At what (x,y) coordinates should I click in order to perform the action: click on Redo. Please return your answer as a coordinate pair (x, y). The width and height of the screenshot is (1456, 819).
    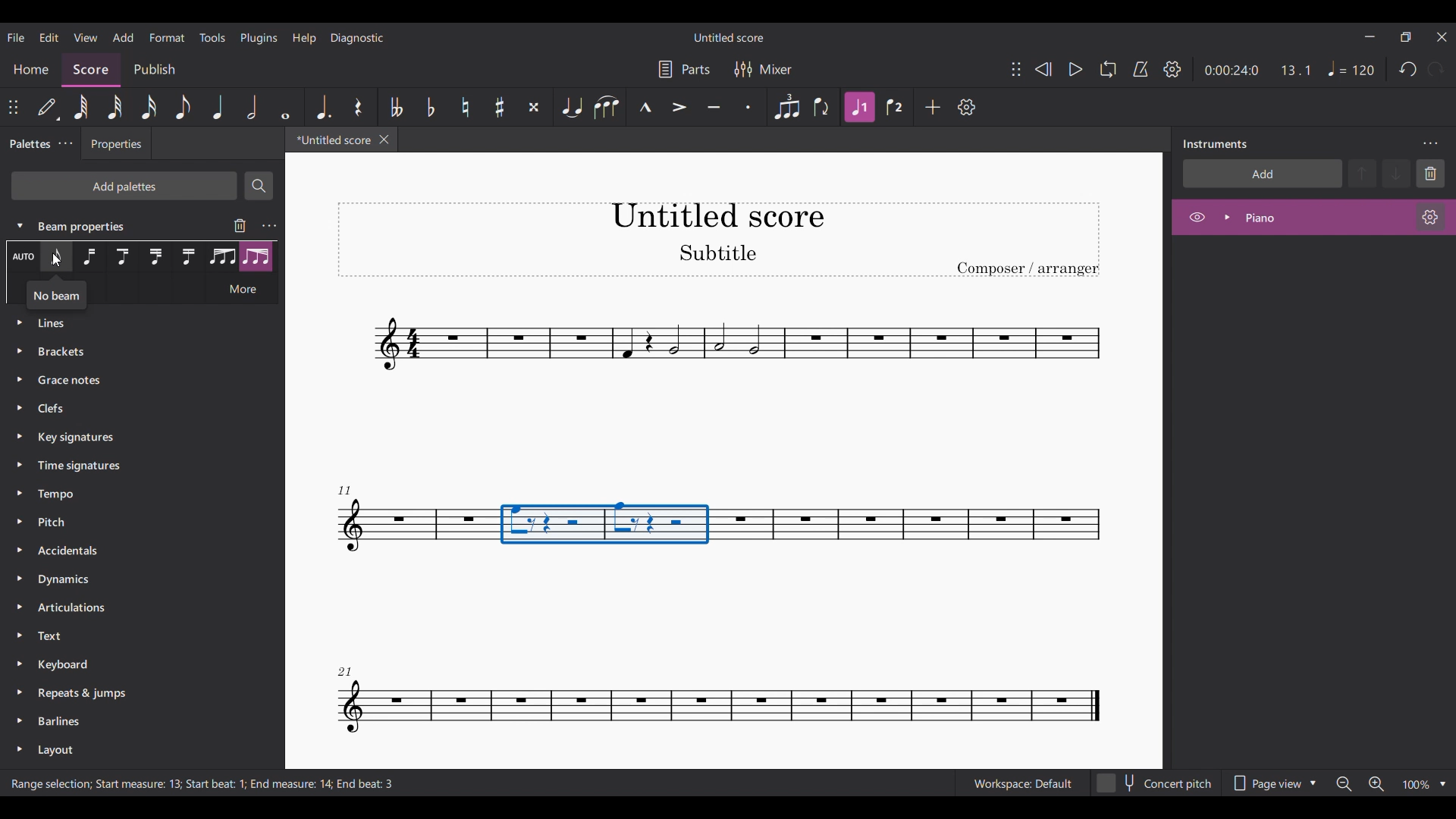
    Looking at the image, I should click on (1436, 69).